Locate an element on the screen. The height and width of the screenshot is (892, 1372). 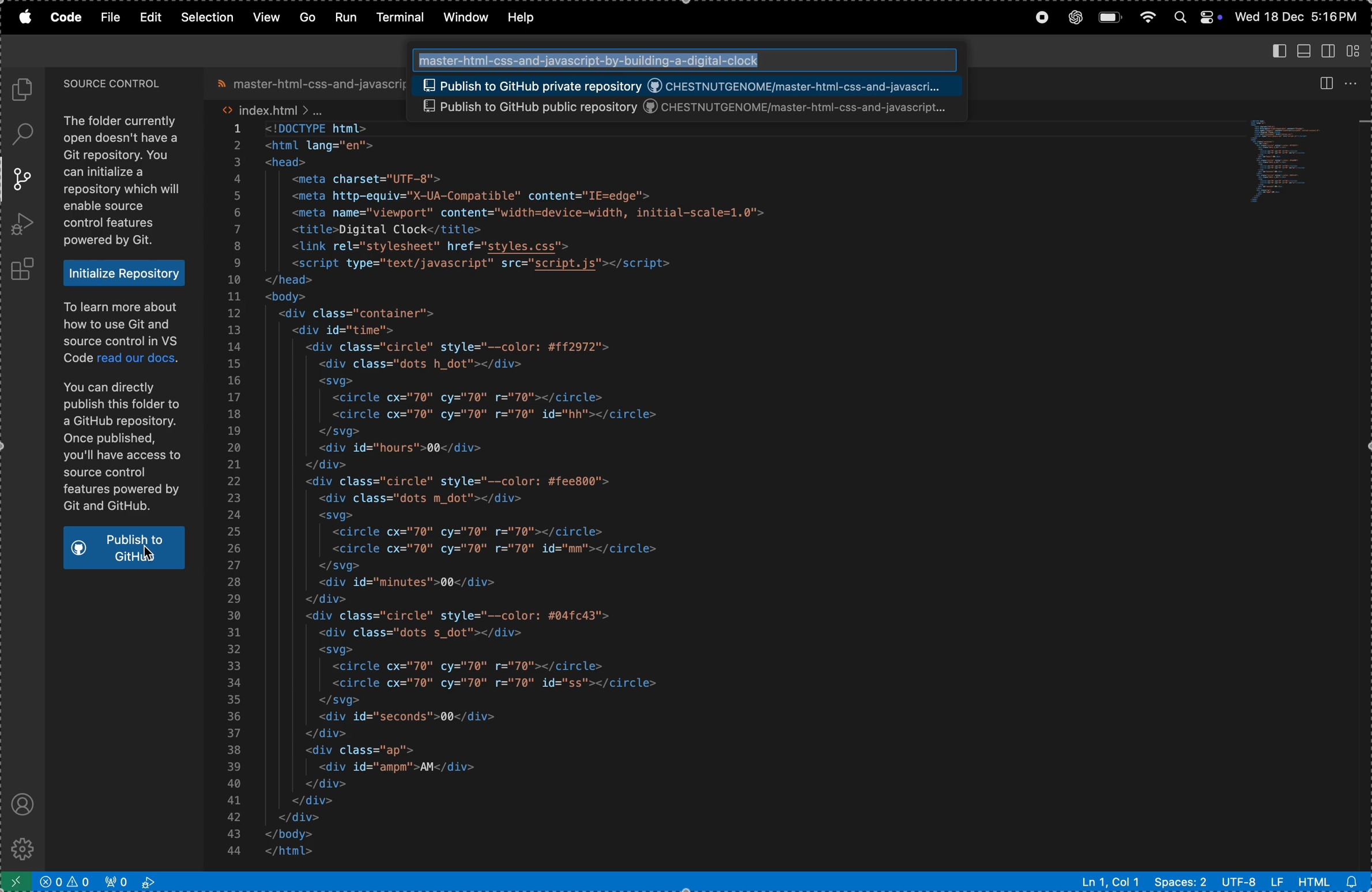
</svg> is located at coordinates (349, 432).